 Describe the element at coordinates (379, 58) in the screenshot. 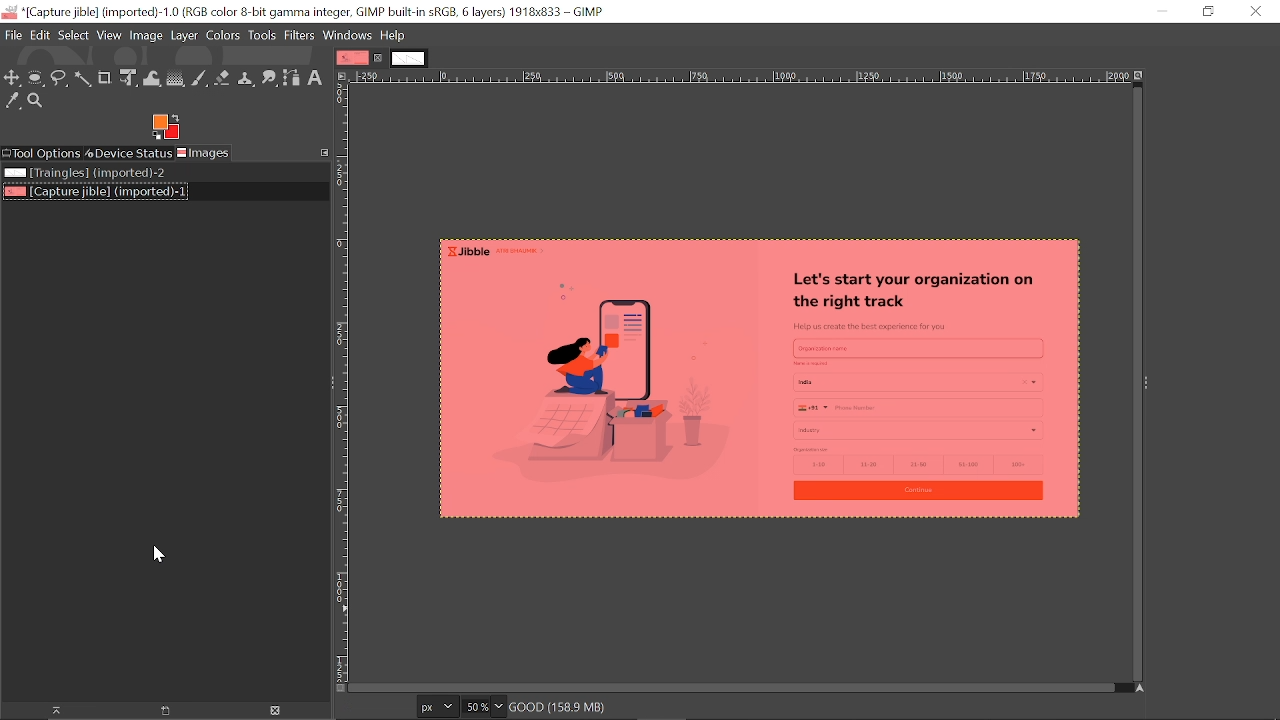

I see `Close current tab` at that location.